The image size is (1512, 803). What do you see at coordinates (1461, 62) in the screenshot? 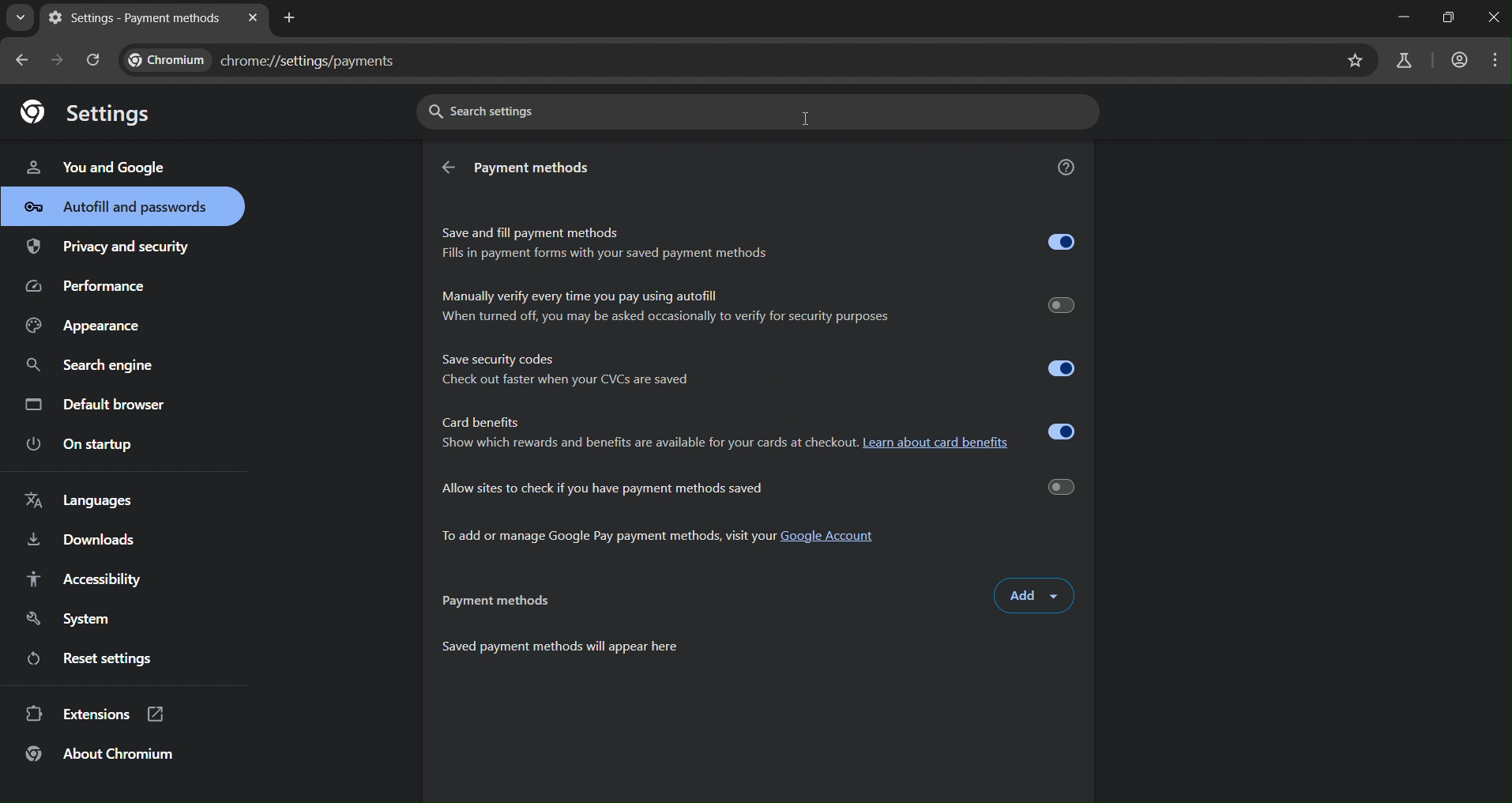
I see `account` at bounding box center [1461, 62].